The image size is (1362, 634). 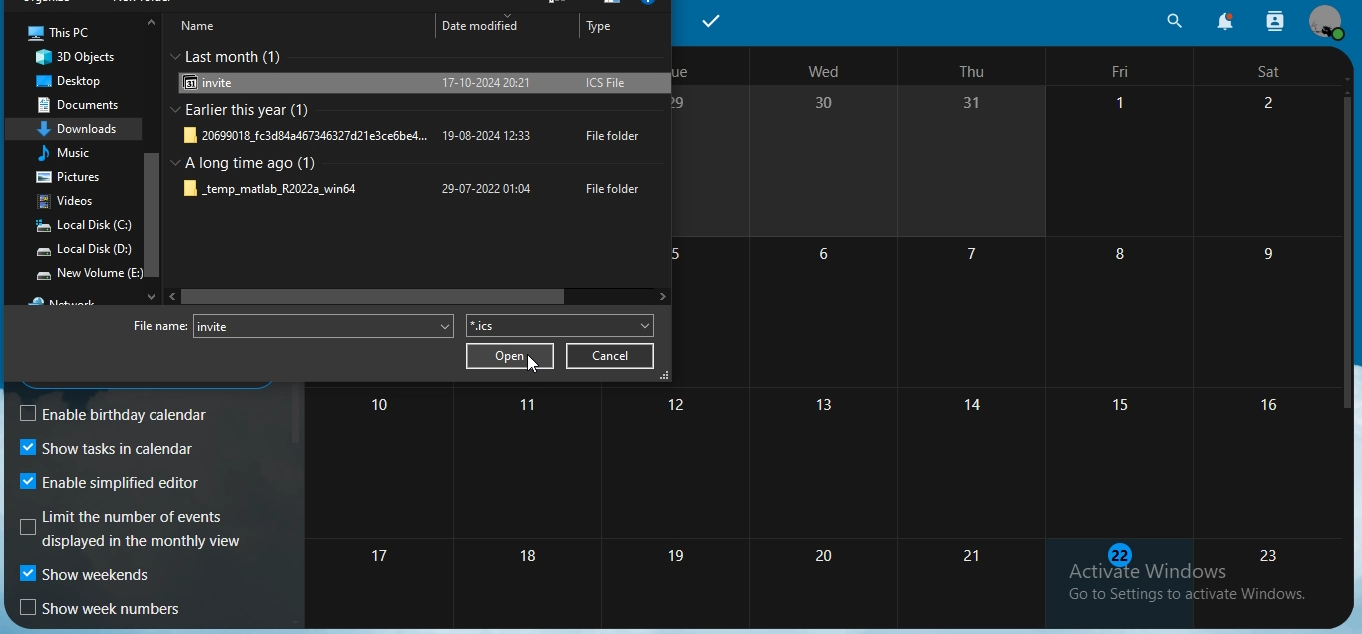 I want to click on music, so click(x=70, y=152).